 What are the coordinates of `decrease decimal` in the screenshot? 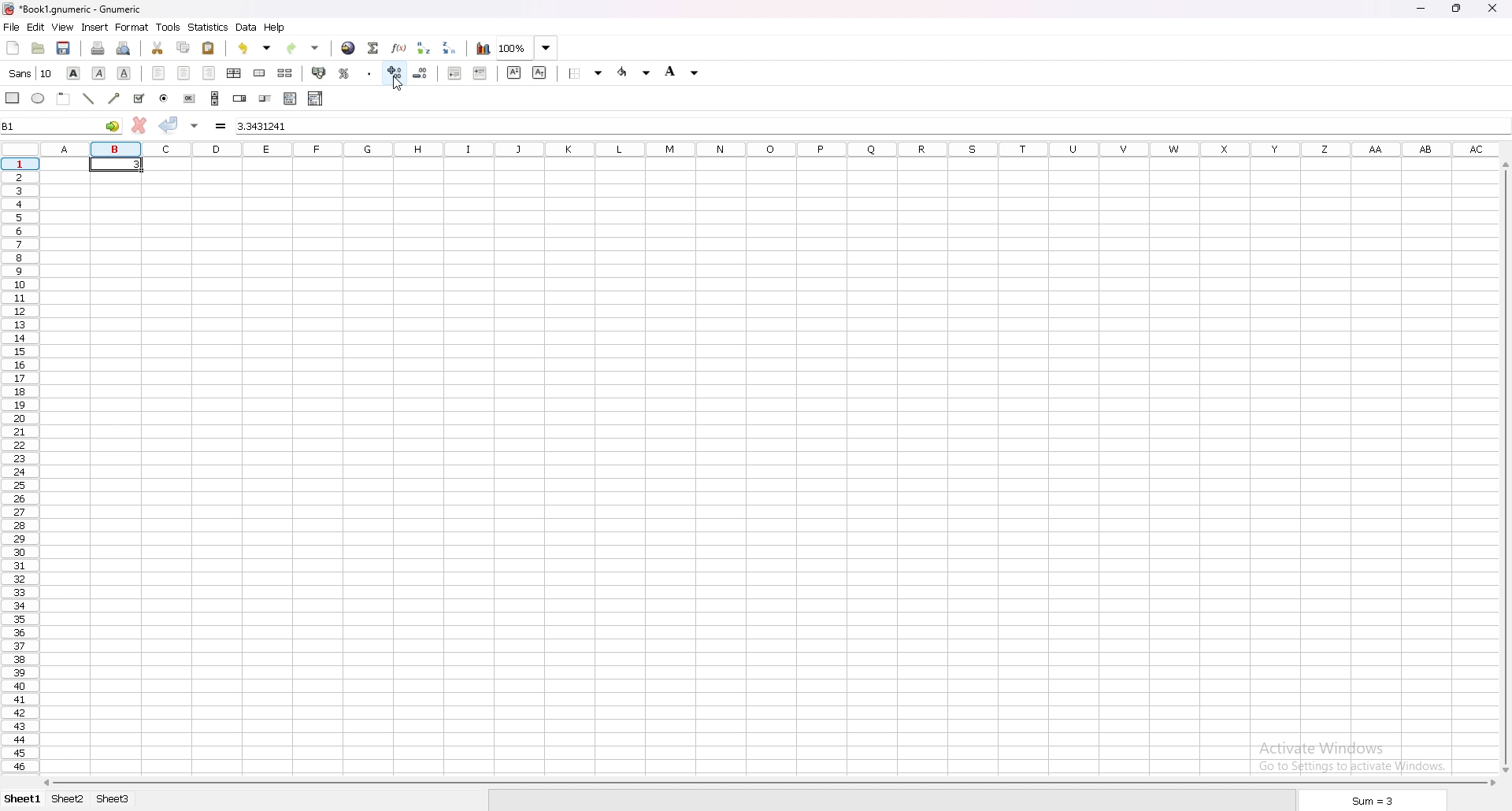 It's located at (418, 74).